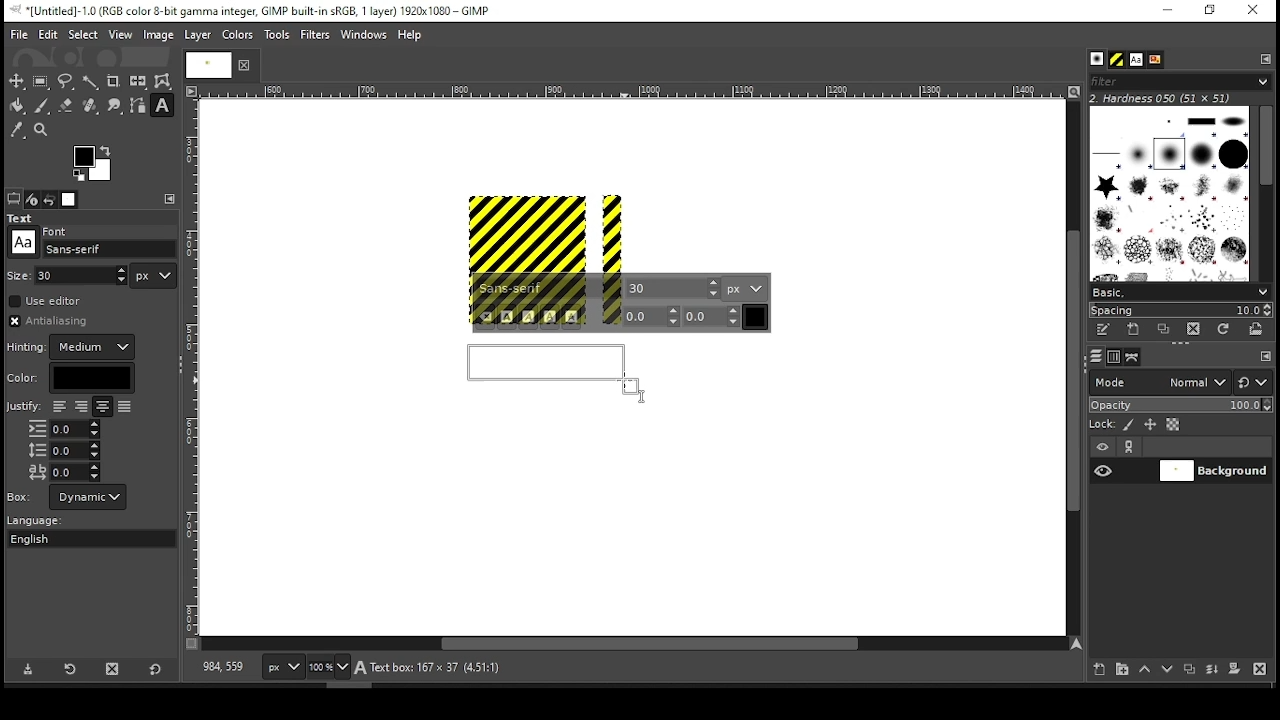  I want to click on restore, so click(1212, 11).